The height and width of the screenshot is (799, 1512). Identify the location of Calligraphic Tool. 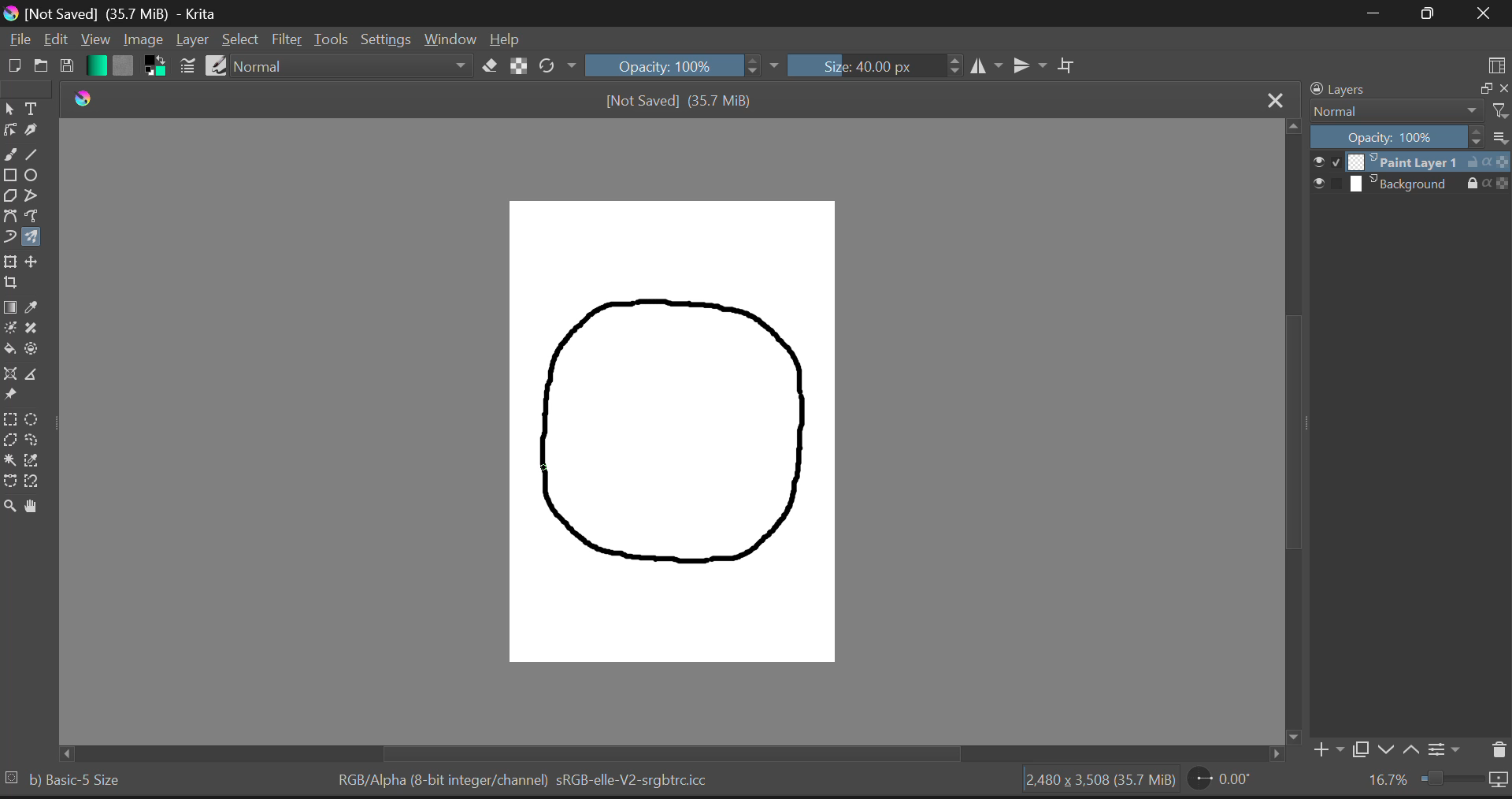
(34, 128).